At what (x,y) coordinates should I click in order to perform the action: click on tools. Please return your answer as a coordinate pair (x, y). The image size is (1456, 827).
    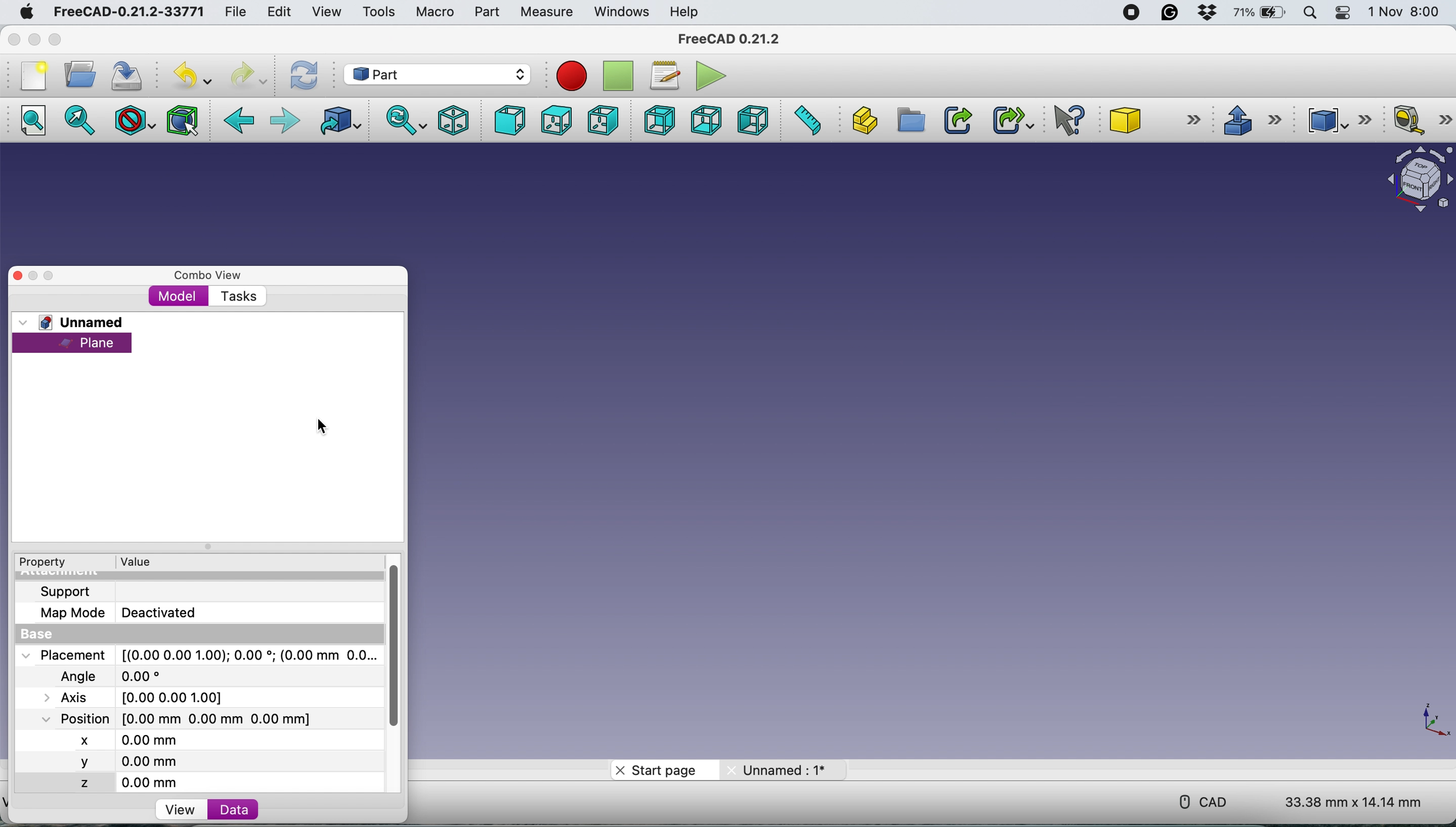
    Looking at the image, I should click on (377, 12).